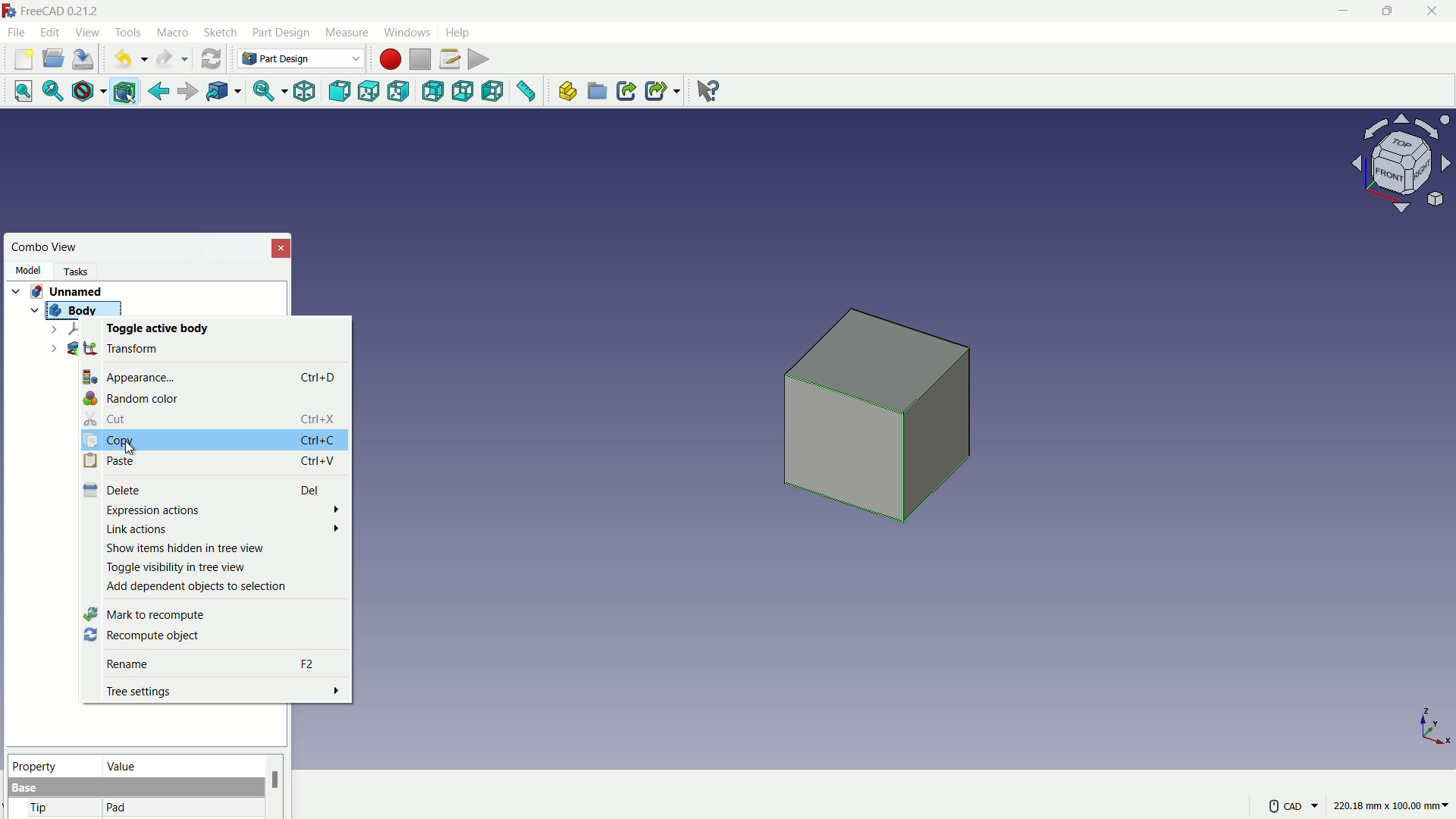 This screenshot has height=819, width=1456. What do you see at coordinates (132, 449) in the screenshot?
I see `cursor` at bounding box center [132, 449].